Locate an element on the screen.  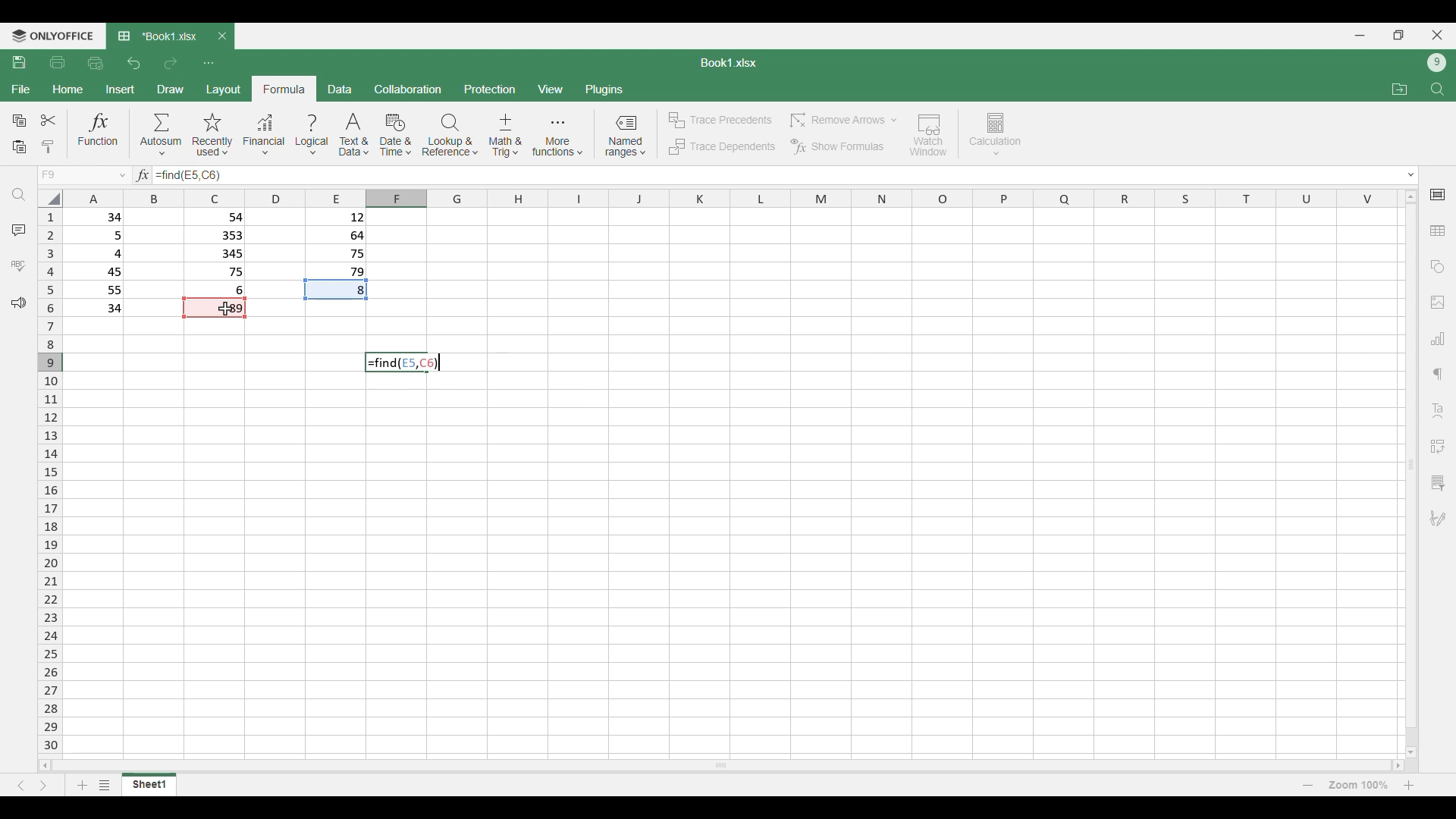
Minimize is located at coordinates (1360, 36).